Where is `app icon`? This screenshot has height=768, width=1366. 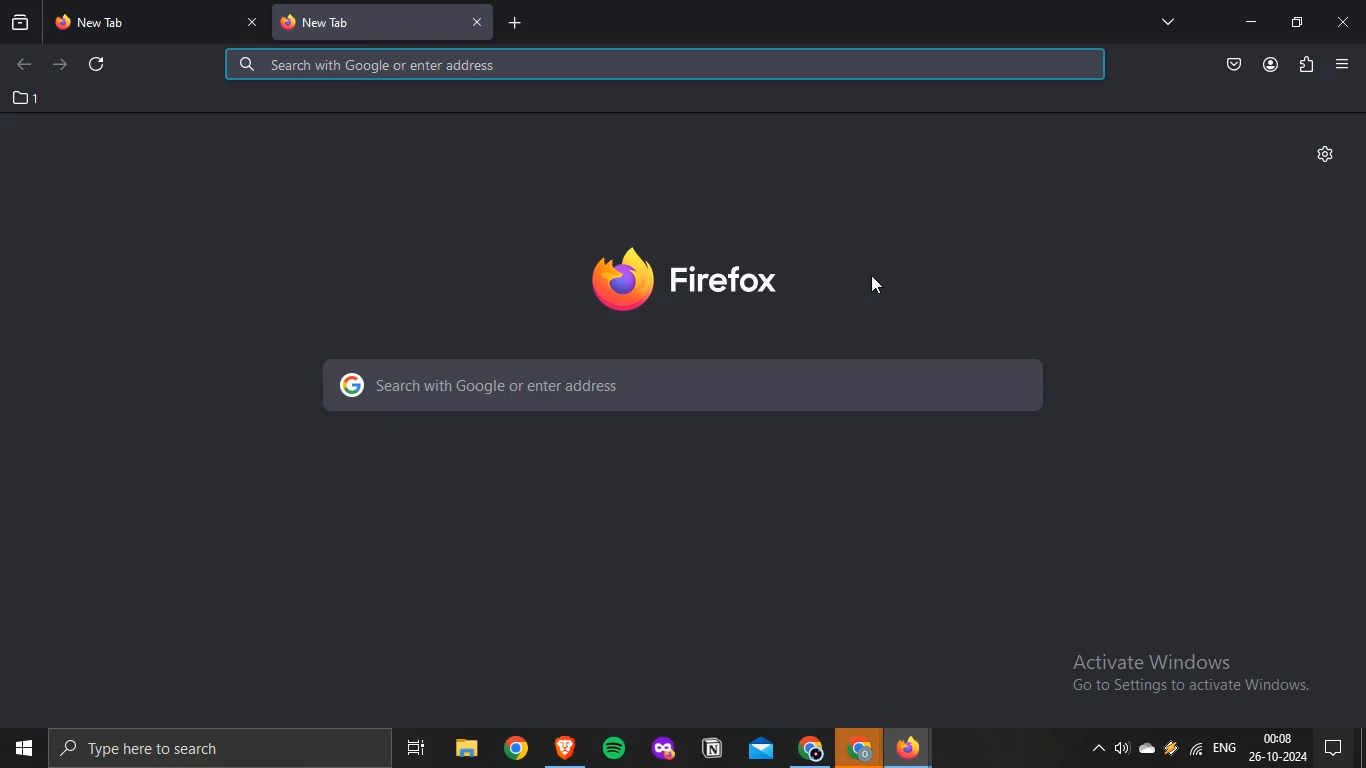 app icon is located at coordinates (661, 744).